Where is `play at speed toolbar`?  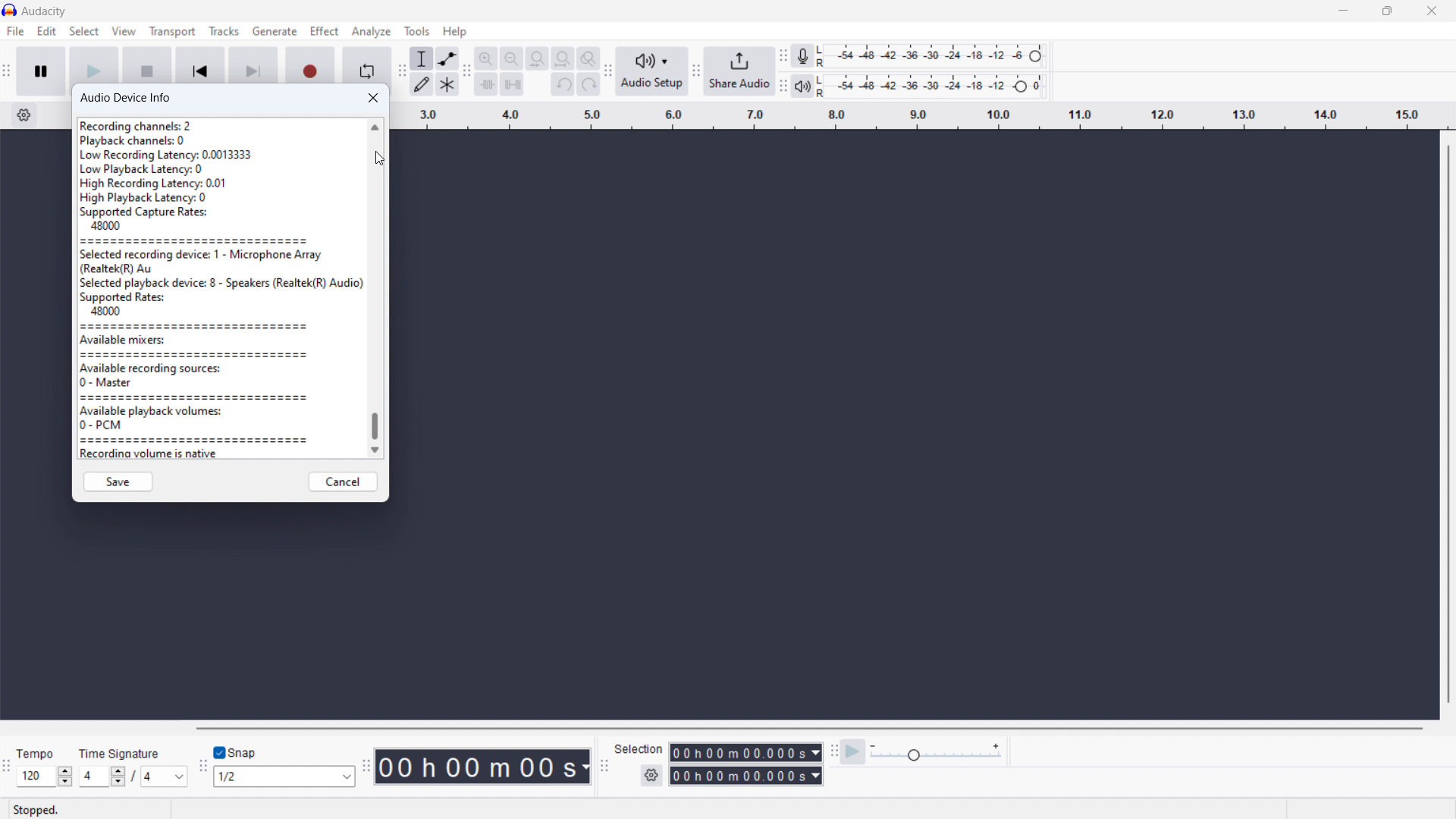
play at speed toolbar is located at coordinates (831, 751).